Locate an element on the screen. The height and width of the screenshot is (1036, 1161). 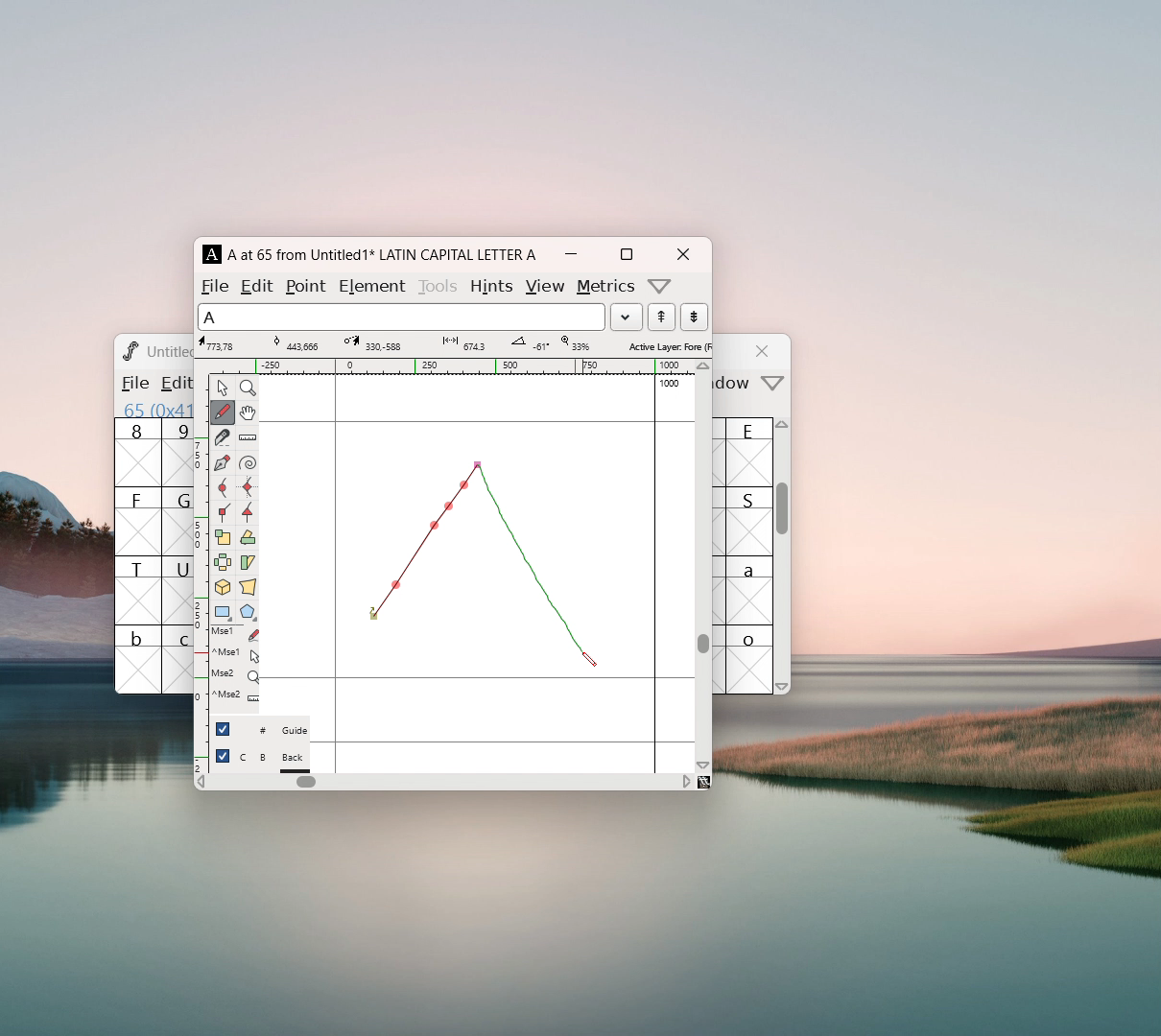
view is located at coordinates (544, 287).